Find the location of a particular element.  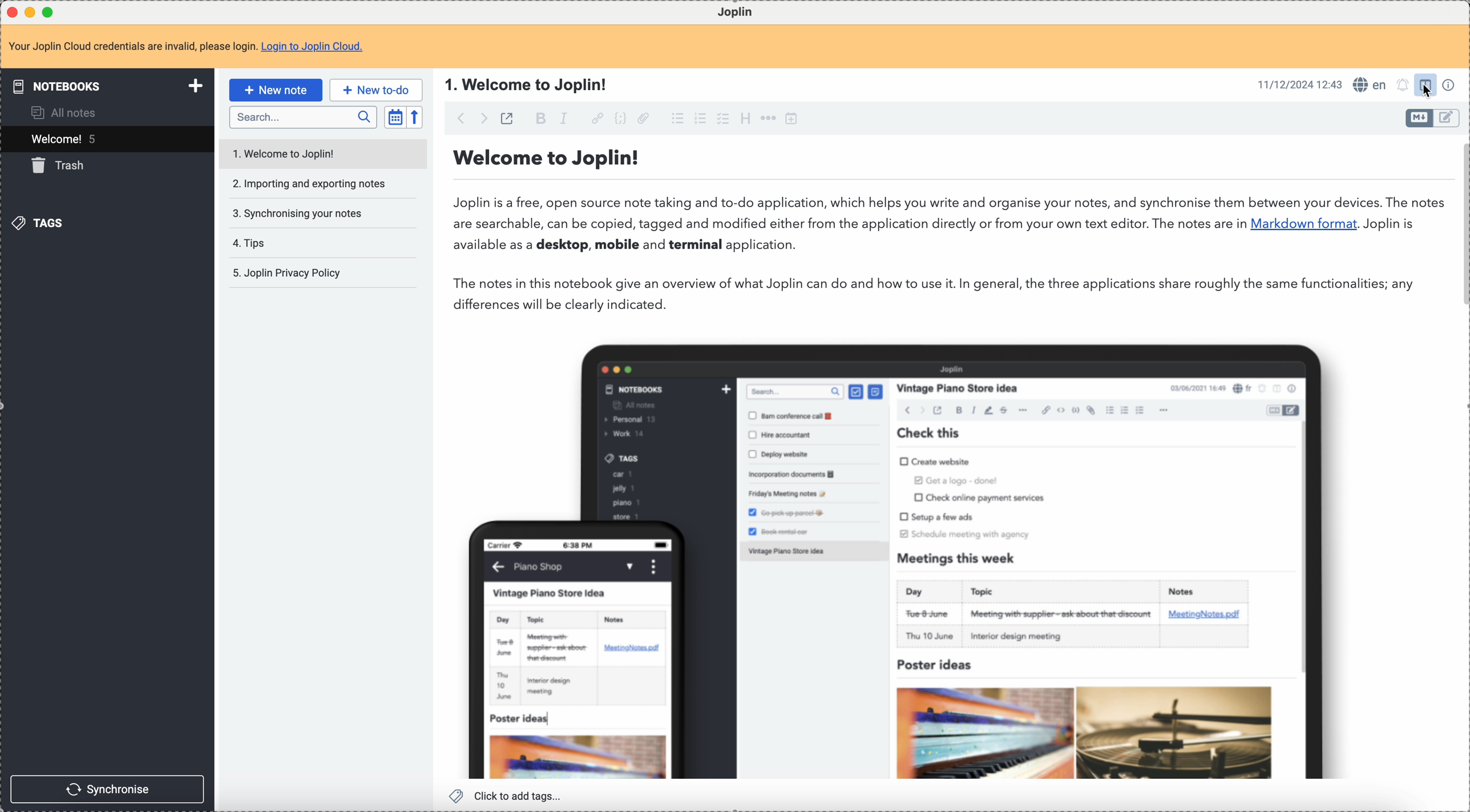

Your Joplin Cloud credentials are invalid, please login. is located at coordinates (131, 48).